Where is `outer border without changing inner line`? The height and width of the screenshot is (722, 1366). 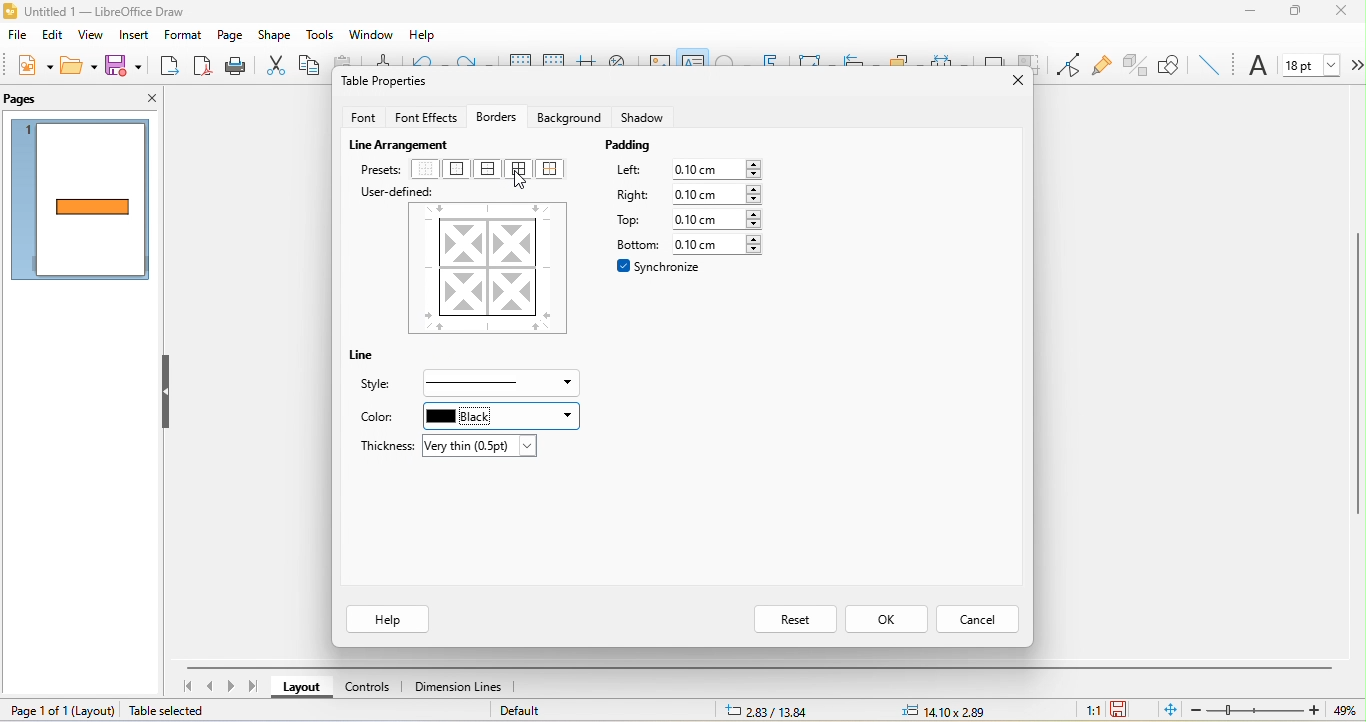
outer border without changing inner line is located at coordinates (555, 168).